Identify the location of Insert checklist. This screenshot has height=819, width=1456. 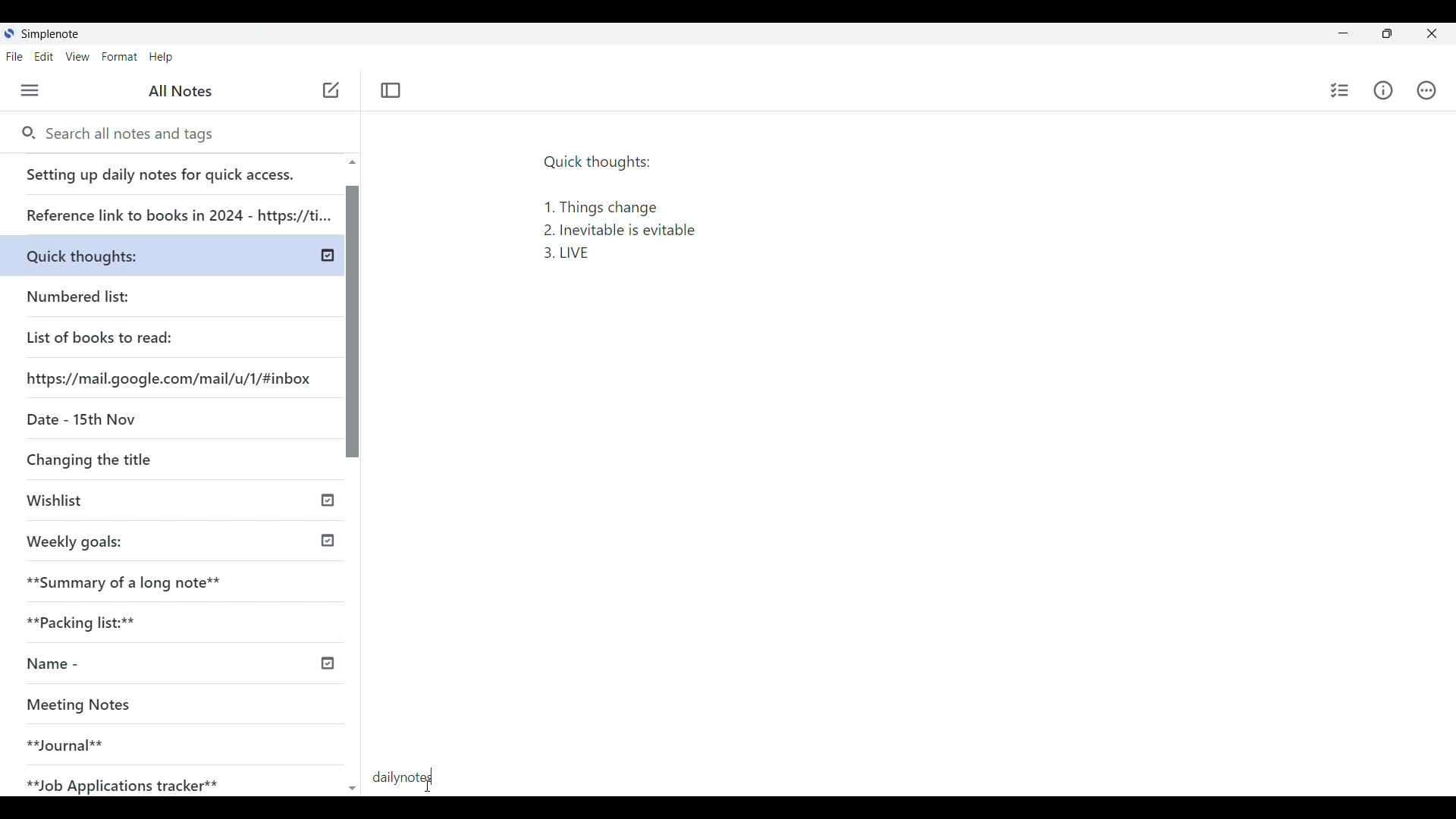
(1339, 90).